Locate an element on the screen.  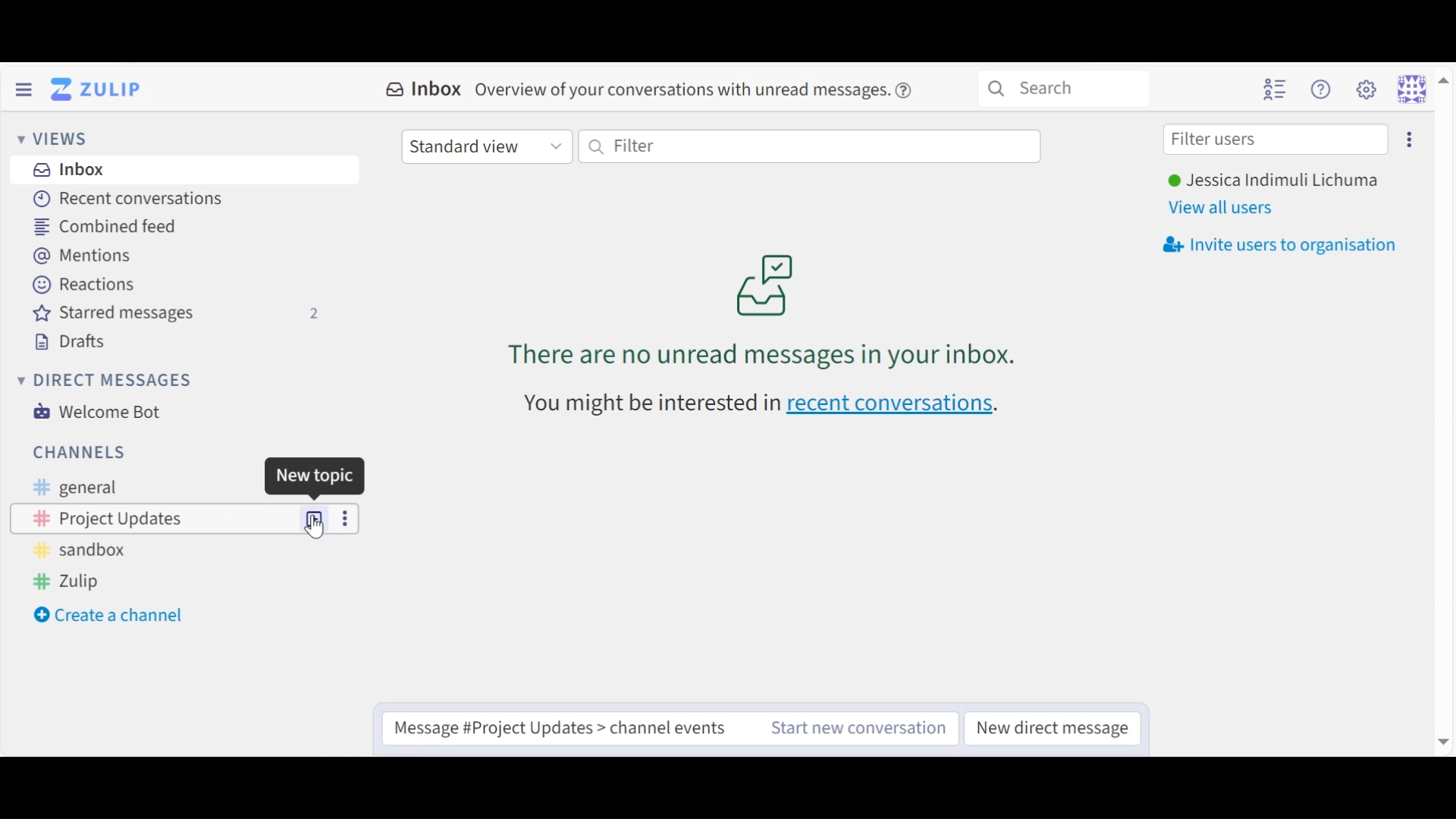
Personal menu is located at coordinates (1421, 88).